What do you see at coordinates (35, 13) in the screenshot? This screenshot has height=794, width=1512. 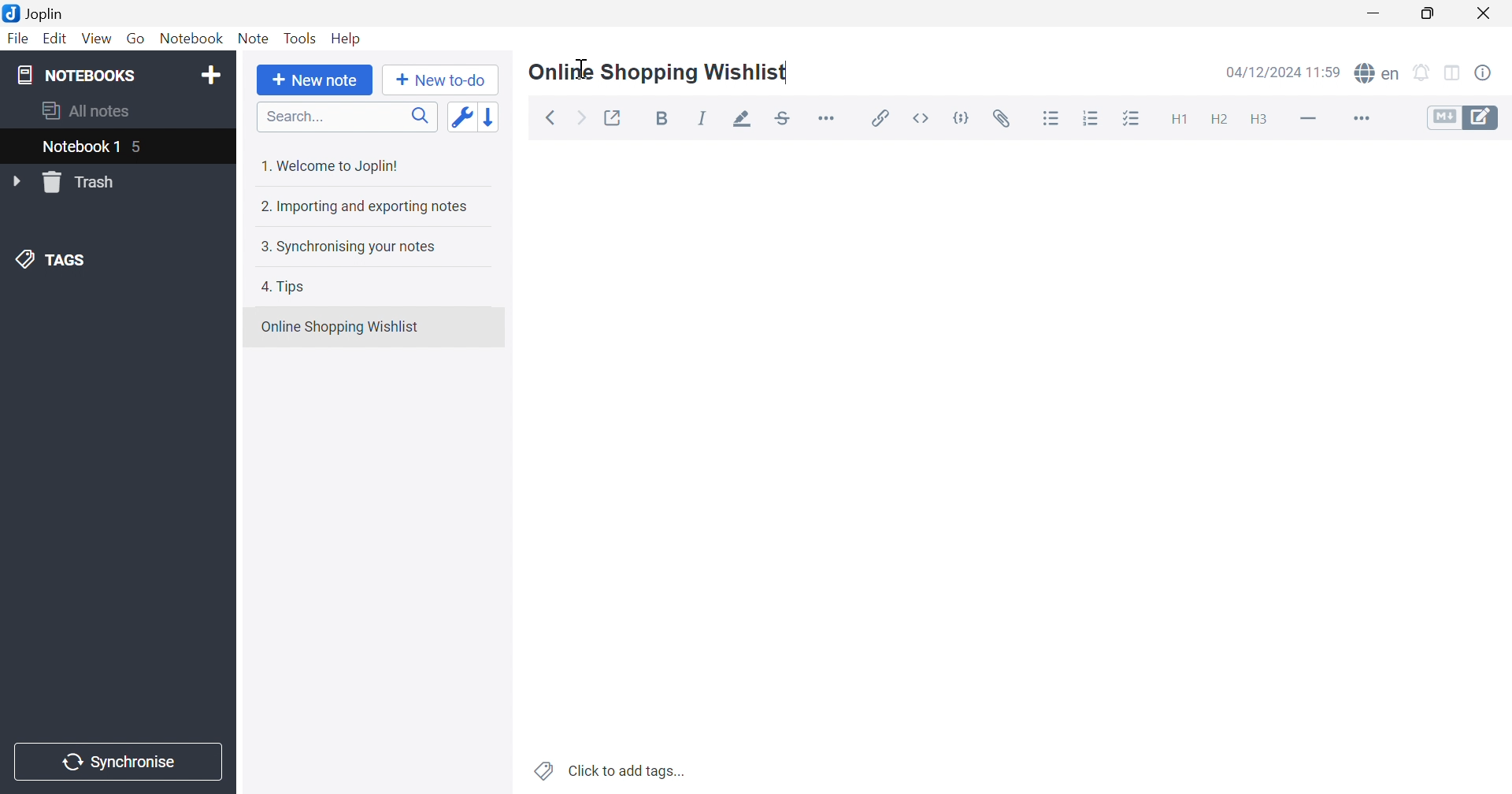 I see `Joplin` at bounding box center [35, 13].